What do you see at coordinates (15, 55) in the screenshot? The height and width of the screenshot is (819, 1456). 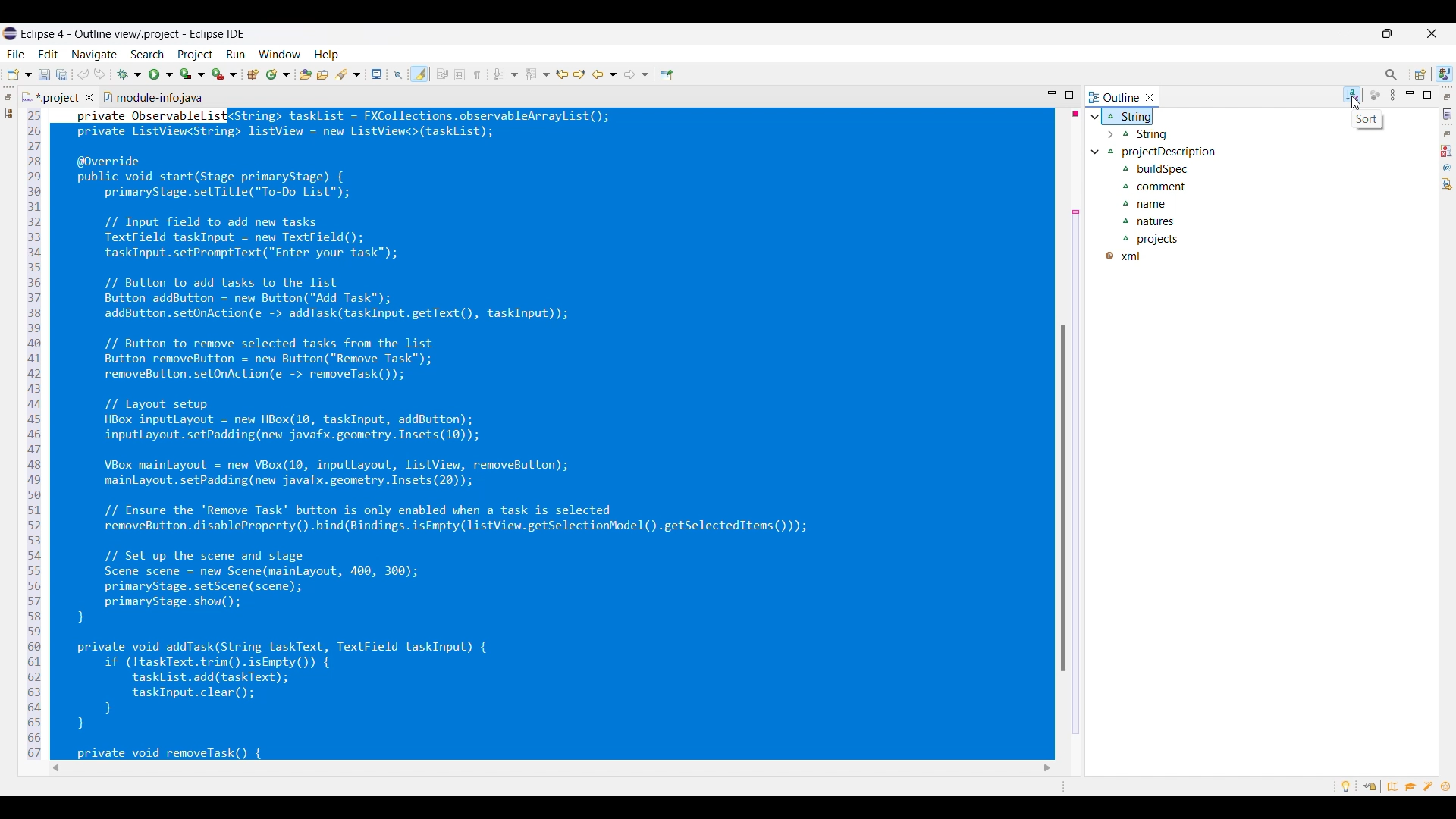 I see `File menu` at bounding box center [15, 55].